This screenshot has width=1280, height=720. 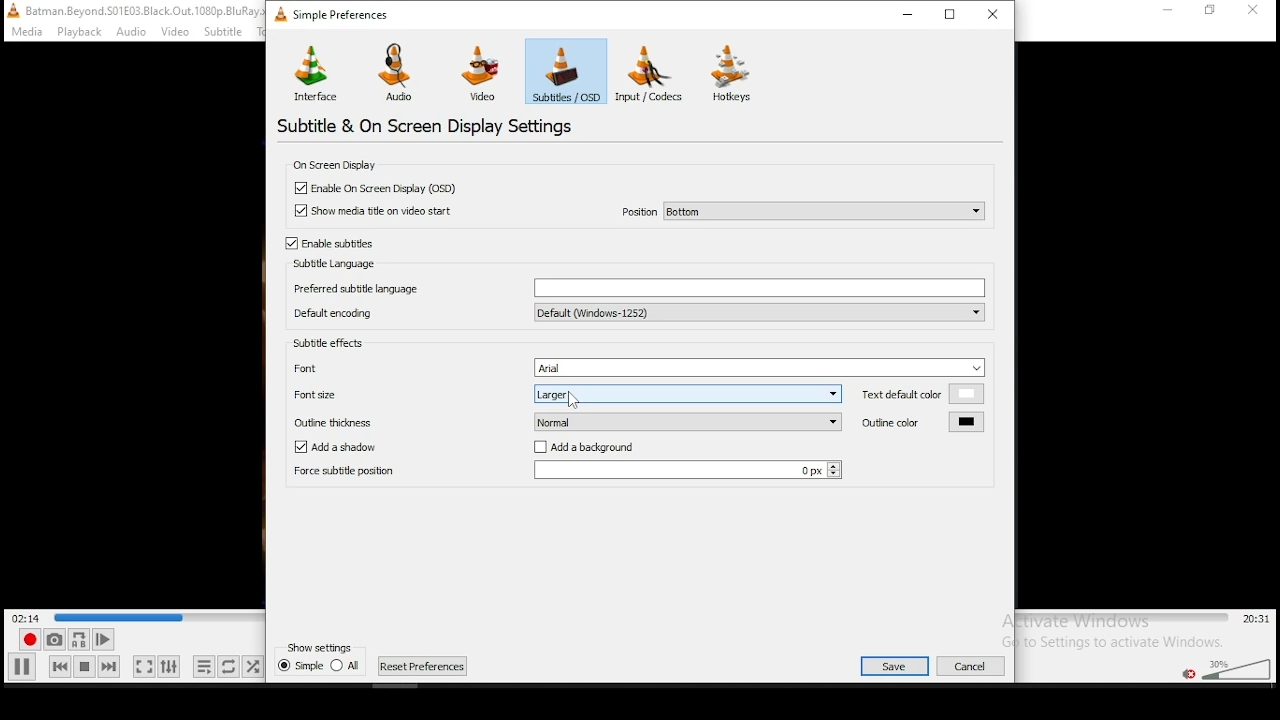 I want to click on on screen display, so click(x=338, y=165).